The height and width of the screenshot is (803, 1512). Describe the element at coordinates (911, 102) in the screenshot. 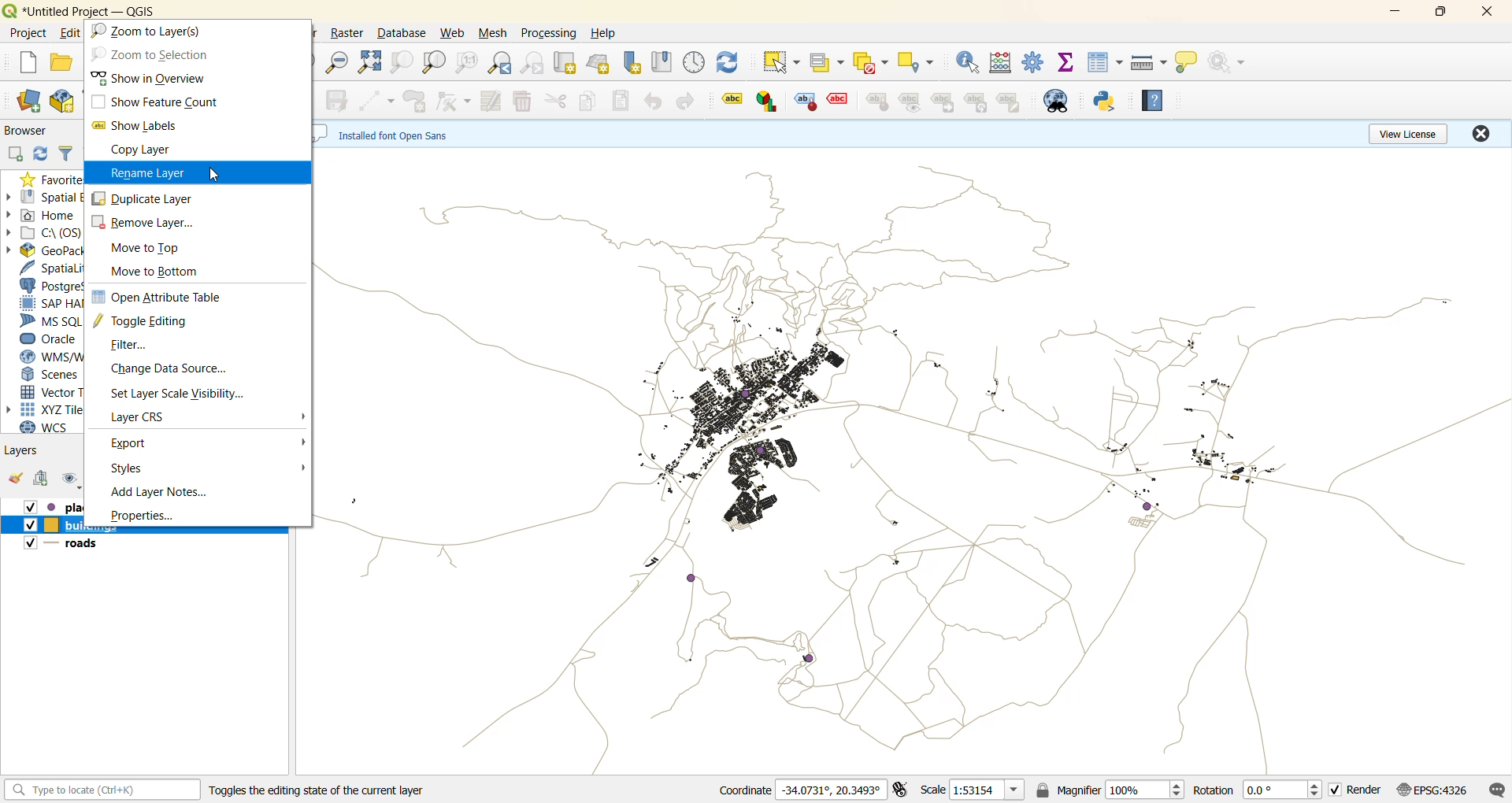

I see `preview` at that location.